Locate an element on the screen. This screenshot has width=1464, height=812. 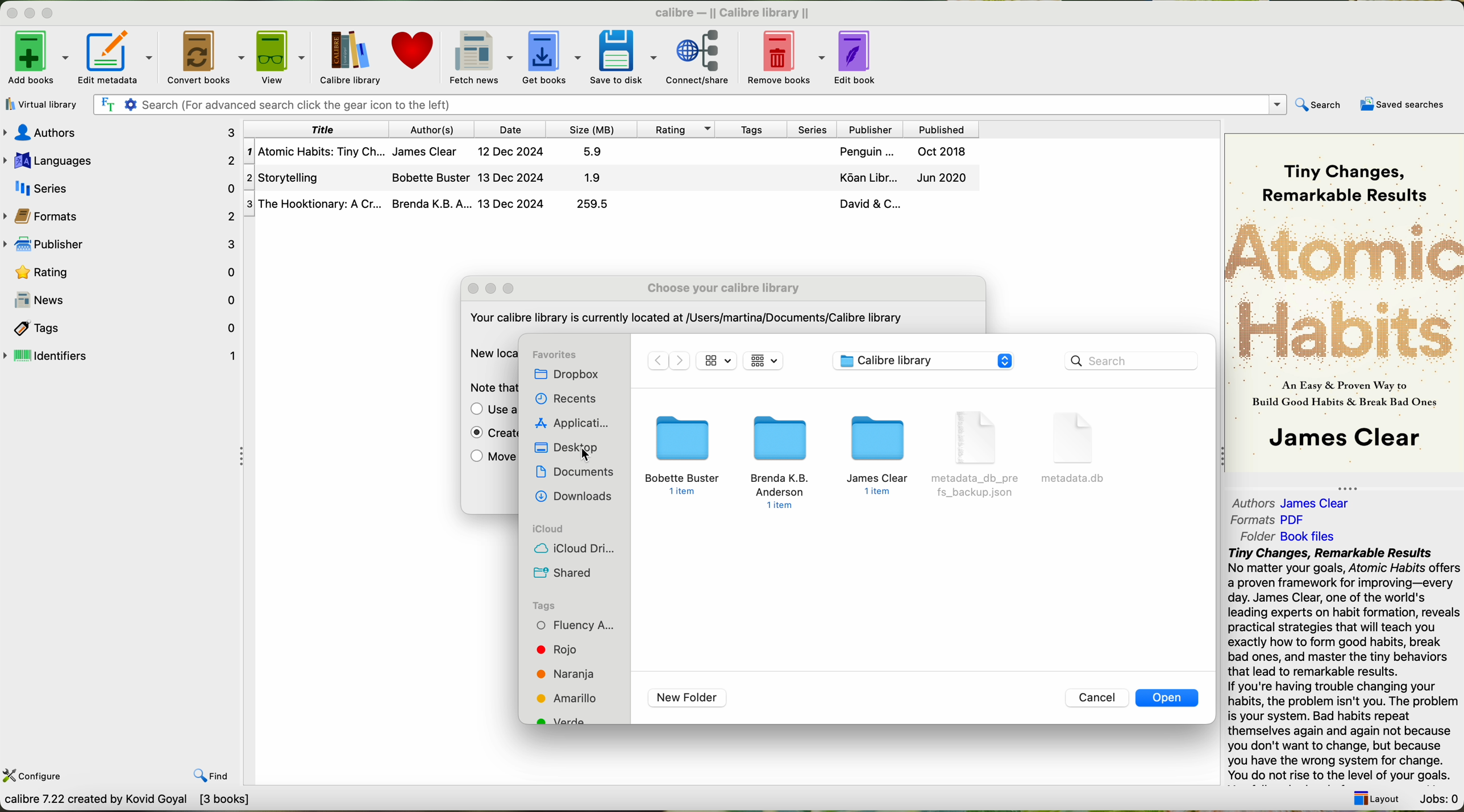
click on desktop is located at coordinates (570, 449).